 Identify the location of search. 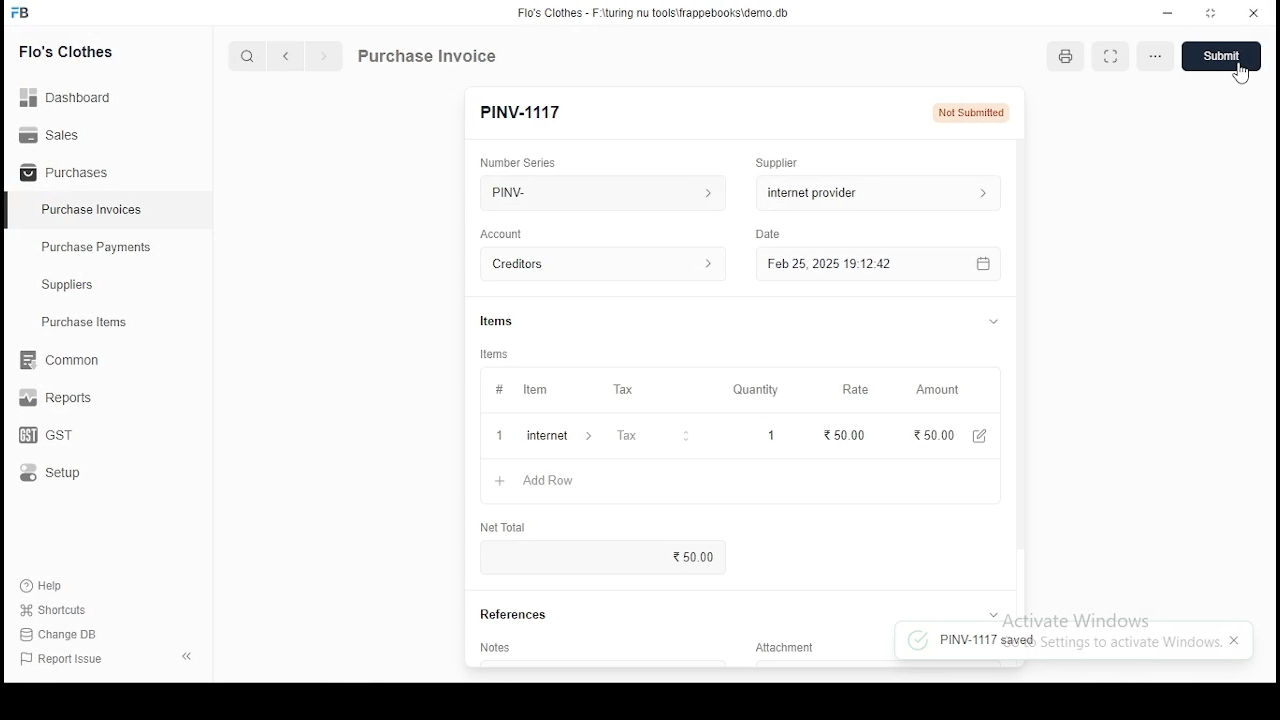
(250, 58).